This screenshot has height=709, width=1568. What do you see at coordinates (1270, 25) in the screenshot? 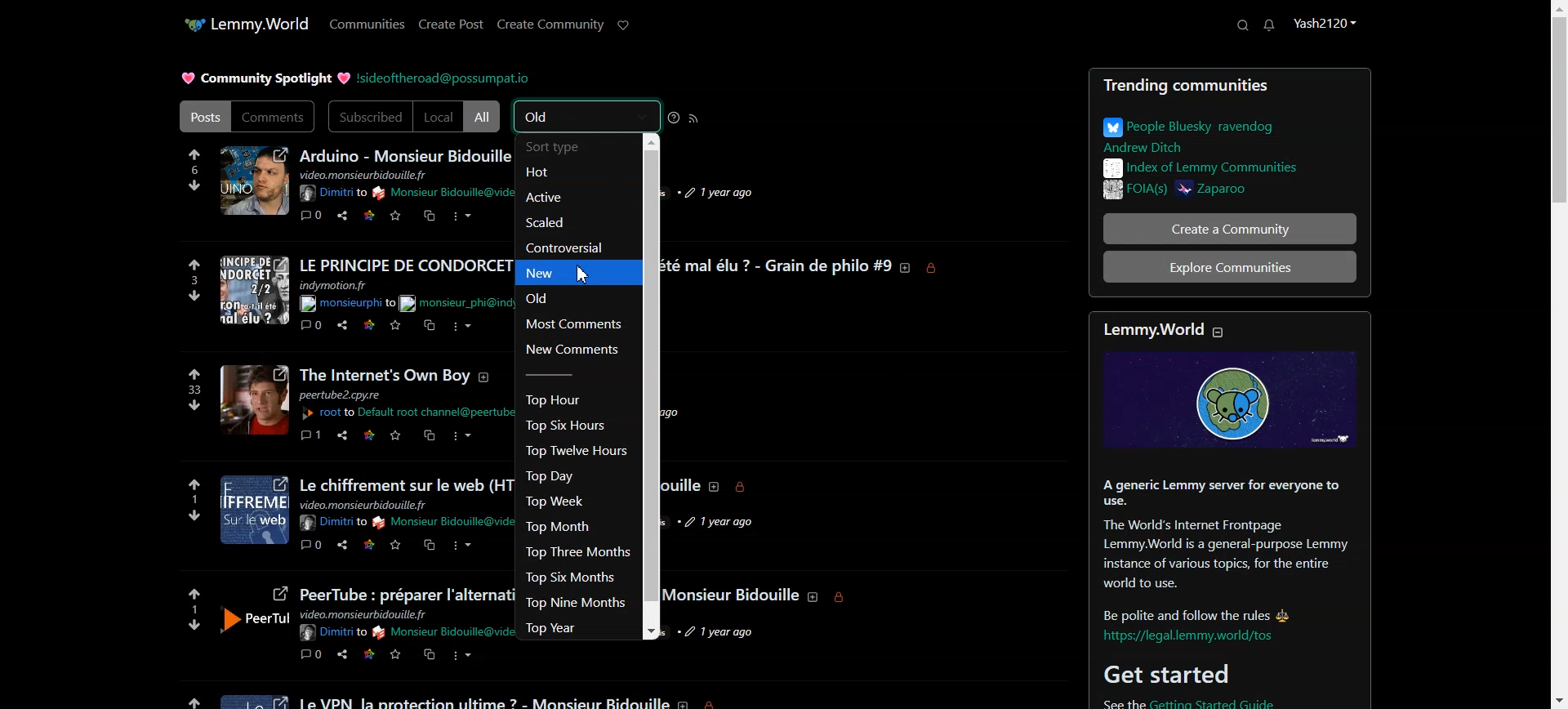
I see `Unread Message` at bounding box center [1270, 25].